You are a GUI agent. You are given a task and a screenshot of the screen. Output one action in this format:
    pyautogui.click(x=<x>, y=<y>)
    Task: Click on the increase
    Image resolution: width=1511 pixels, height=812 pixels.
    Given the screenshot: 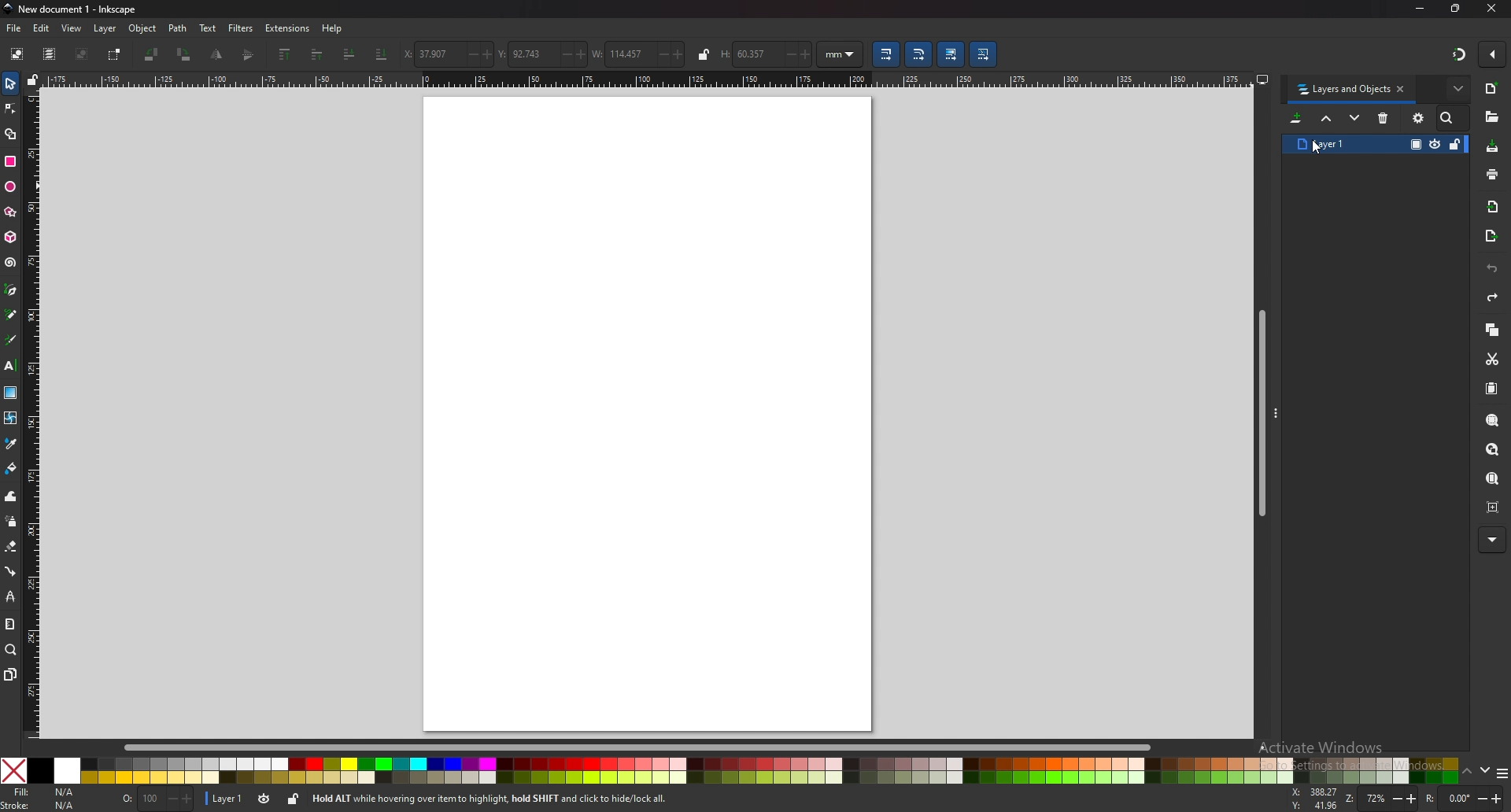 What is the action you would take?
    pyautogui.click(x=580, y=54)
    